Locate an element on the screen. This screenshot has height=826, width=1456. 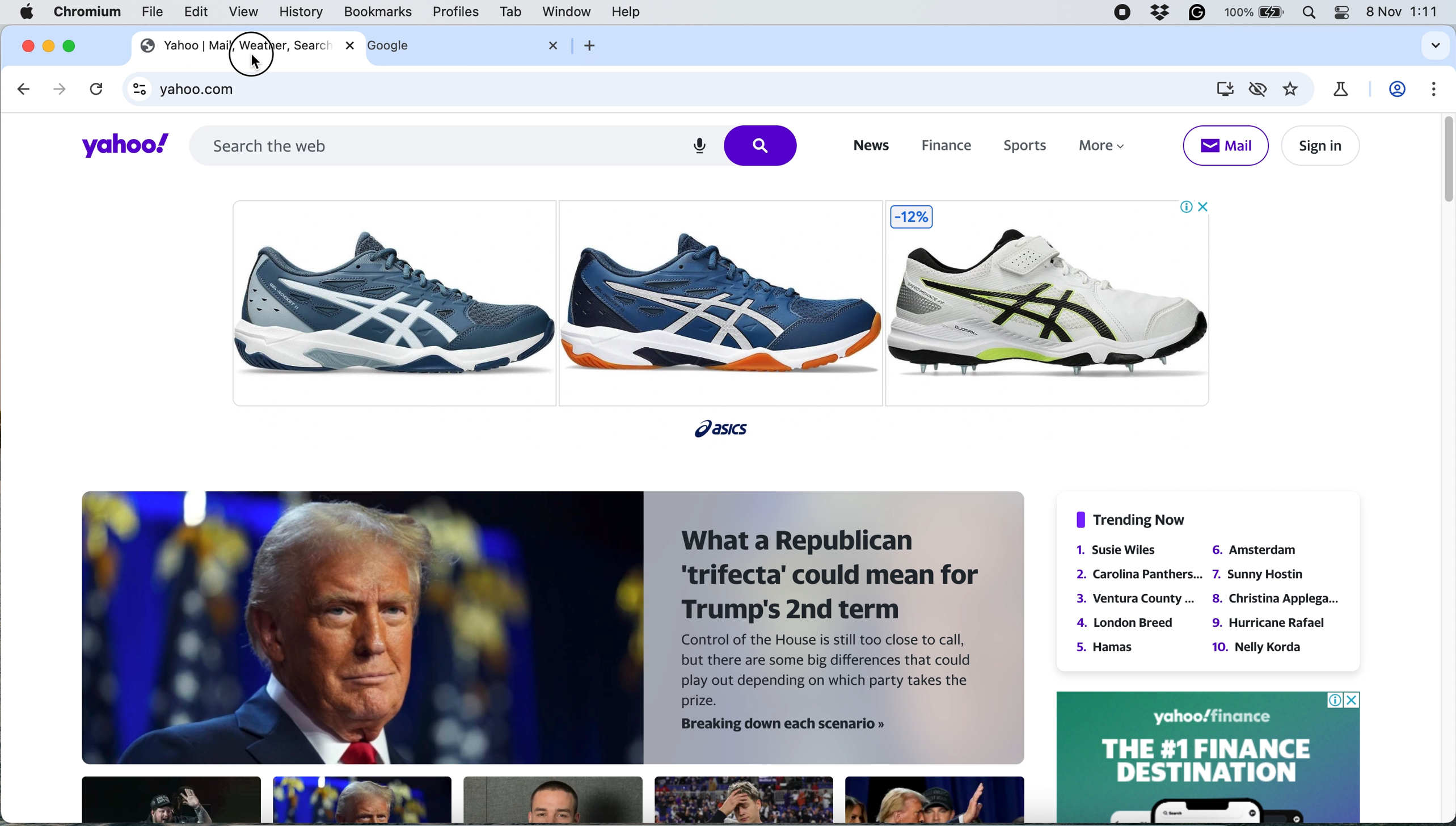
bookmarks is located at coordinates (378, 12).